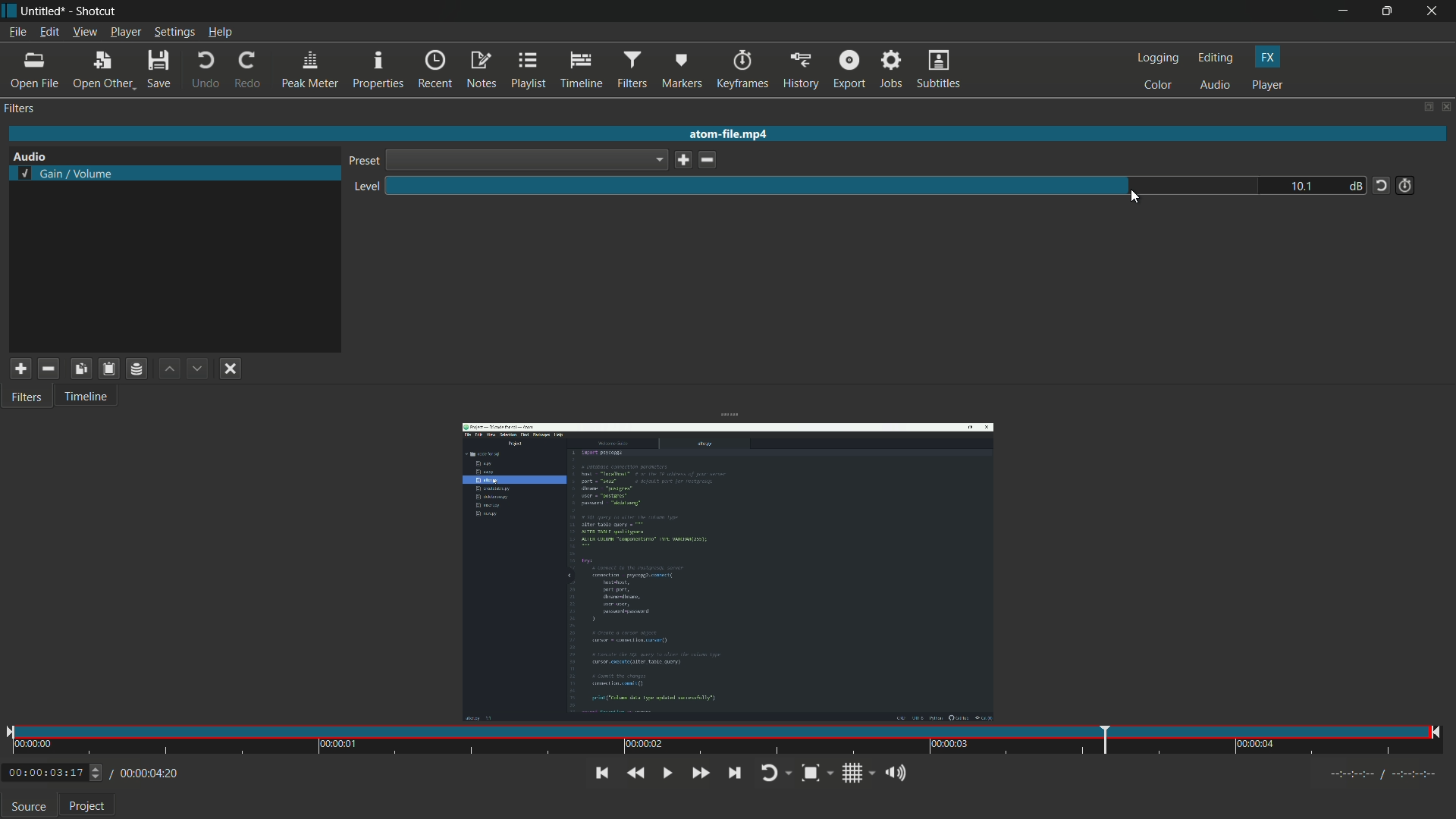  What do you see at coordinates (635, 773) in the screenshot?
I see `quickly play backward` at bounding box center [635, 773].